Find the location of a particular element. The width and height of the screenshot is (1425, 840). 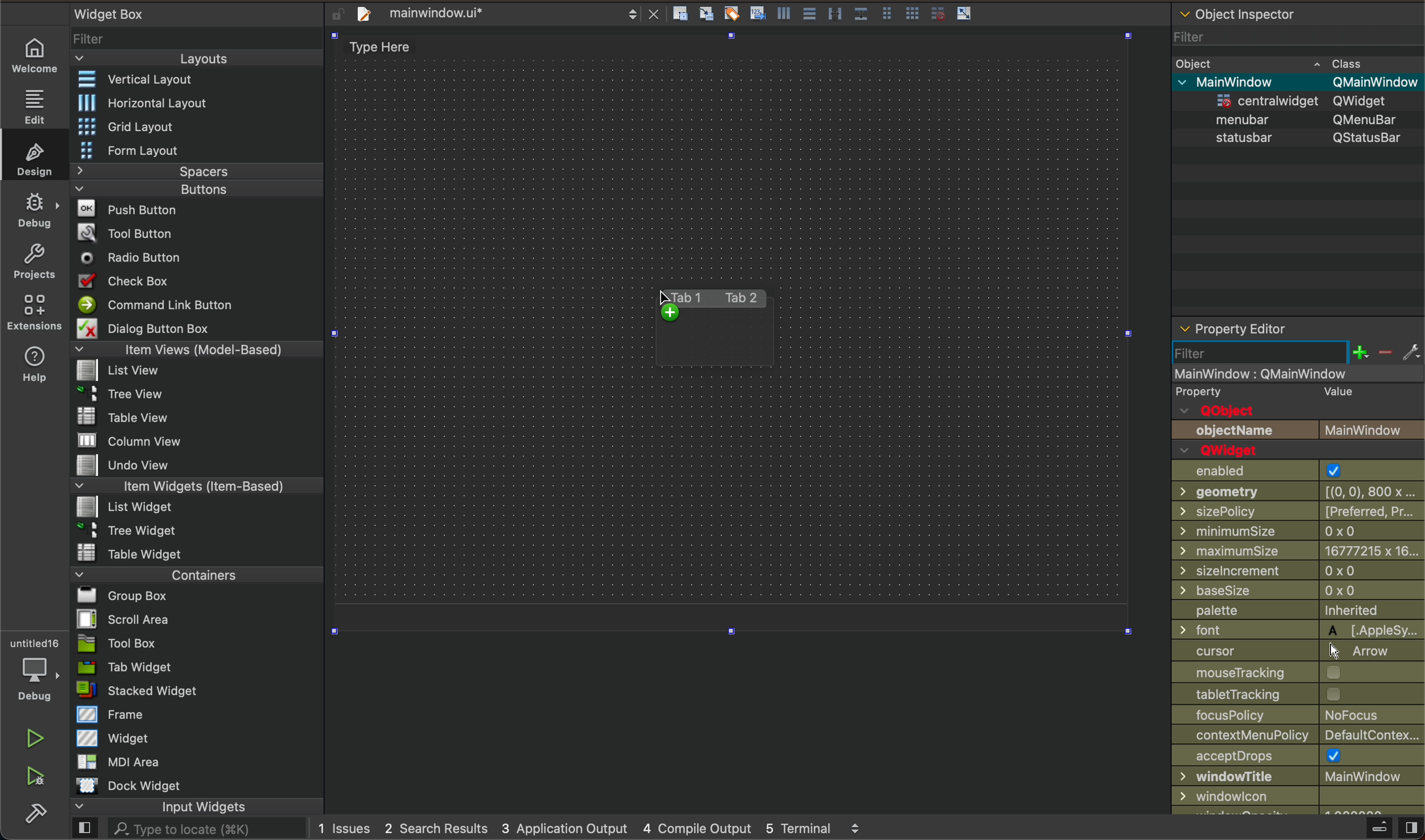

 Form Layout is located at coordinates (131, 151).